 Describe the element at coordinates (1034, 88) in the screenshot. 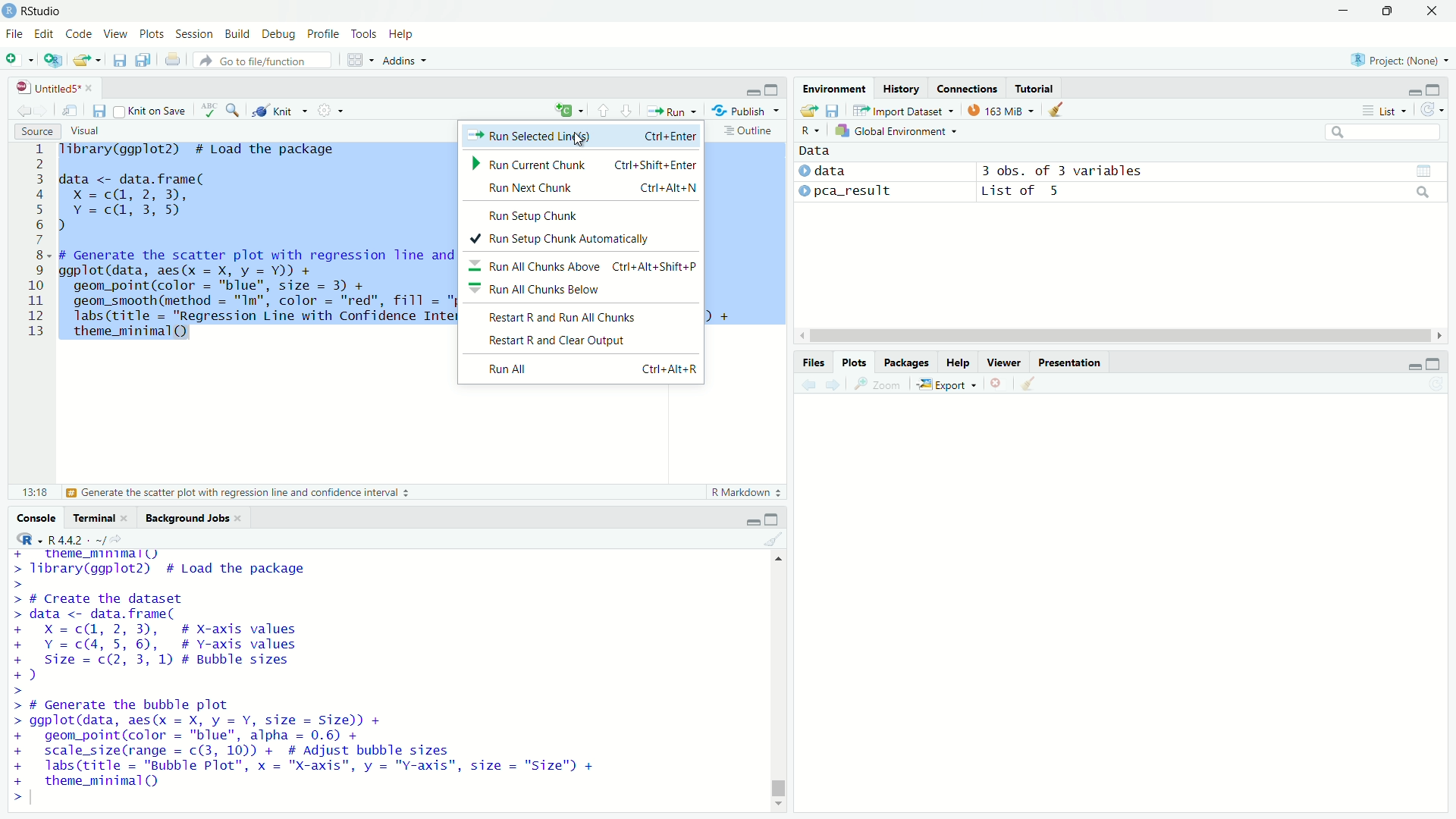

I see `Tutorial` at that location.